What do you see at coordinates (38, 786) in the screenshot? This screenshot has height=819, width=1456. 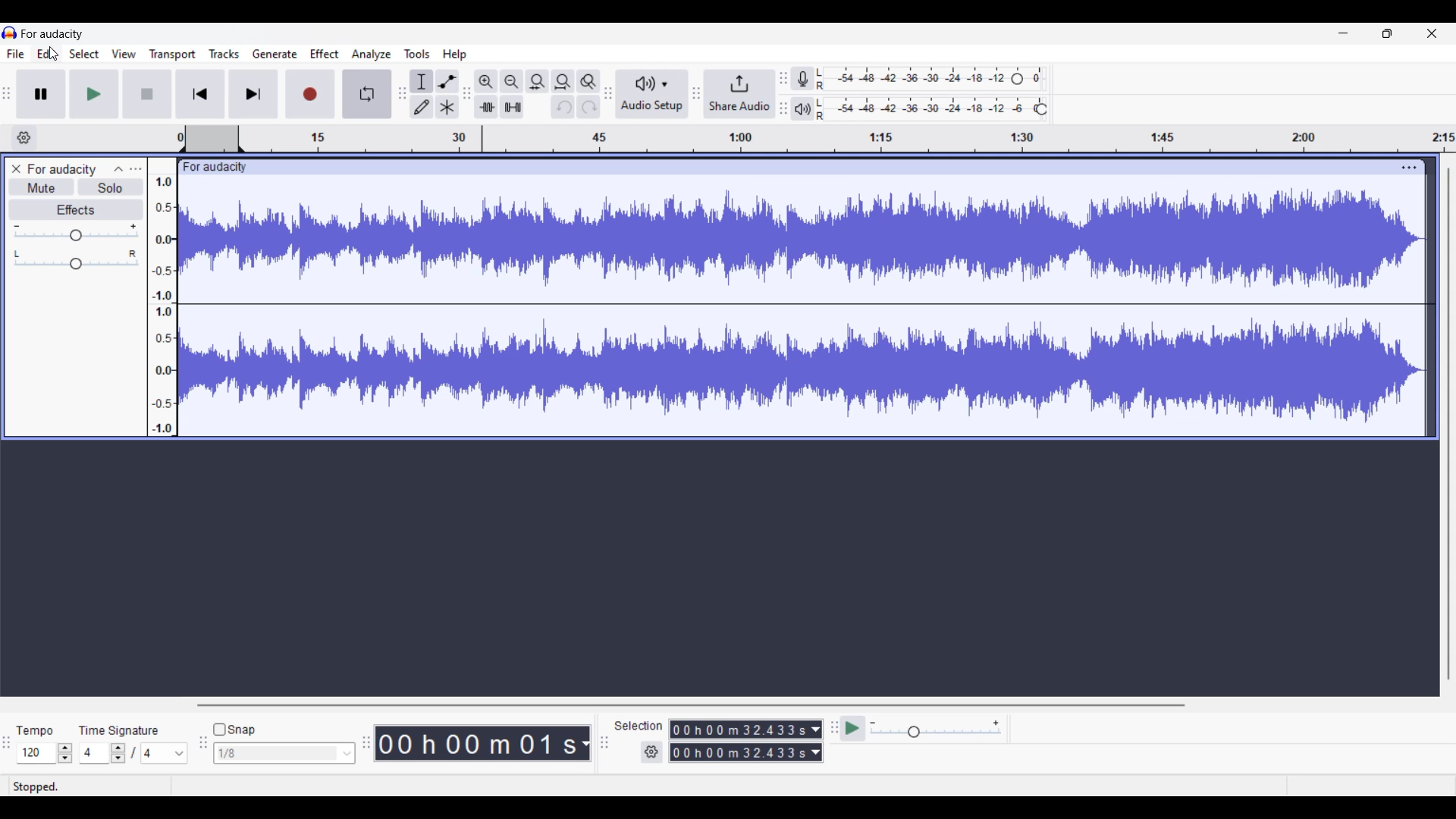 I see `Status of current track` at bounding box center [38, 786].